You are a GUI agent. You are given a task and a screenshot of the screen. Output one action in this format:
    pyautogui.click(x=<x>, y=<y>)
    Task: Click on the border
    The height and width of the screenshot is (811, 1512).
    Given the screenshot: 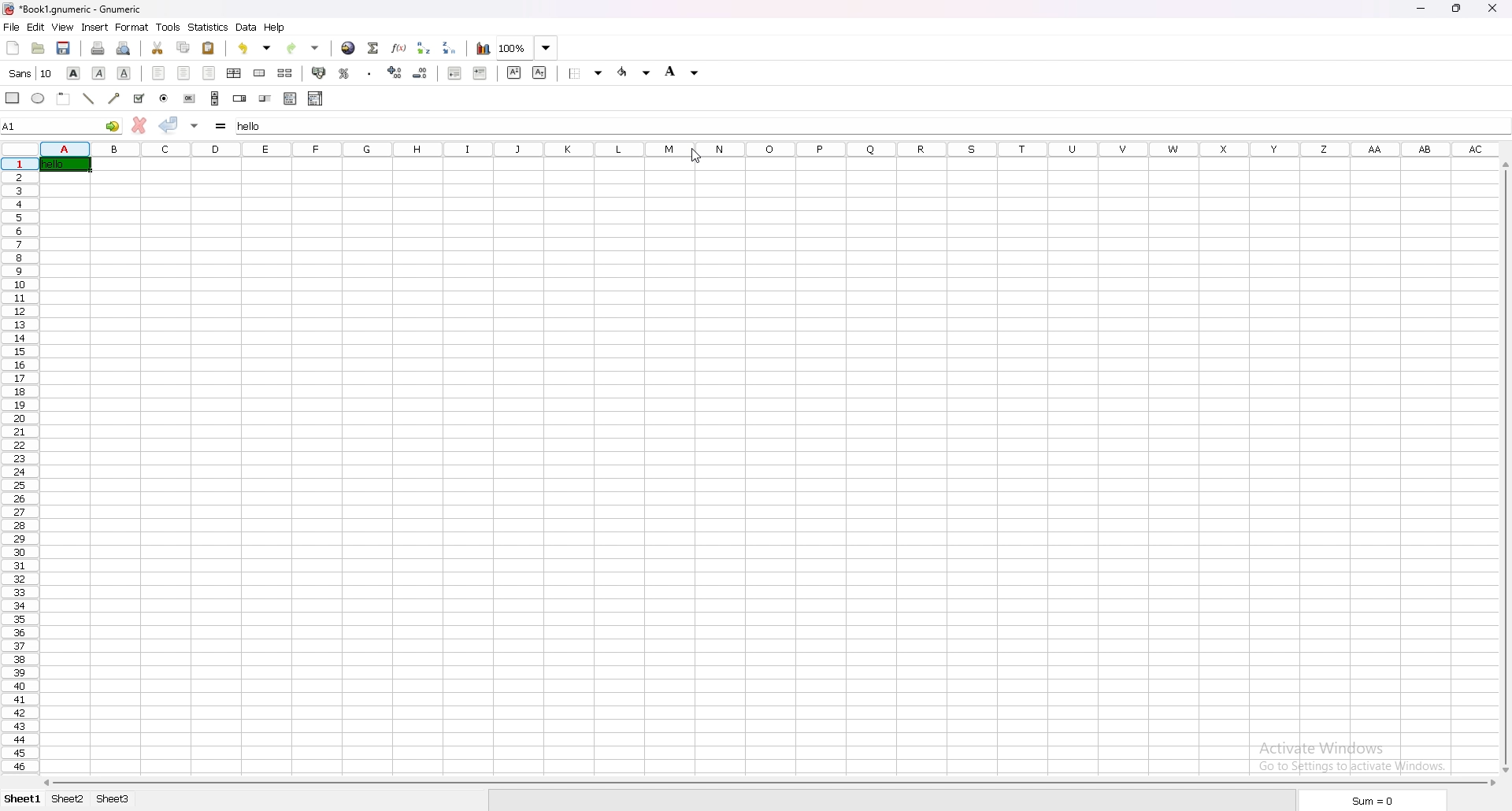 What is the action you would take?
    pyautogui.click(x=587, y=72)
    